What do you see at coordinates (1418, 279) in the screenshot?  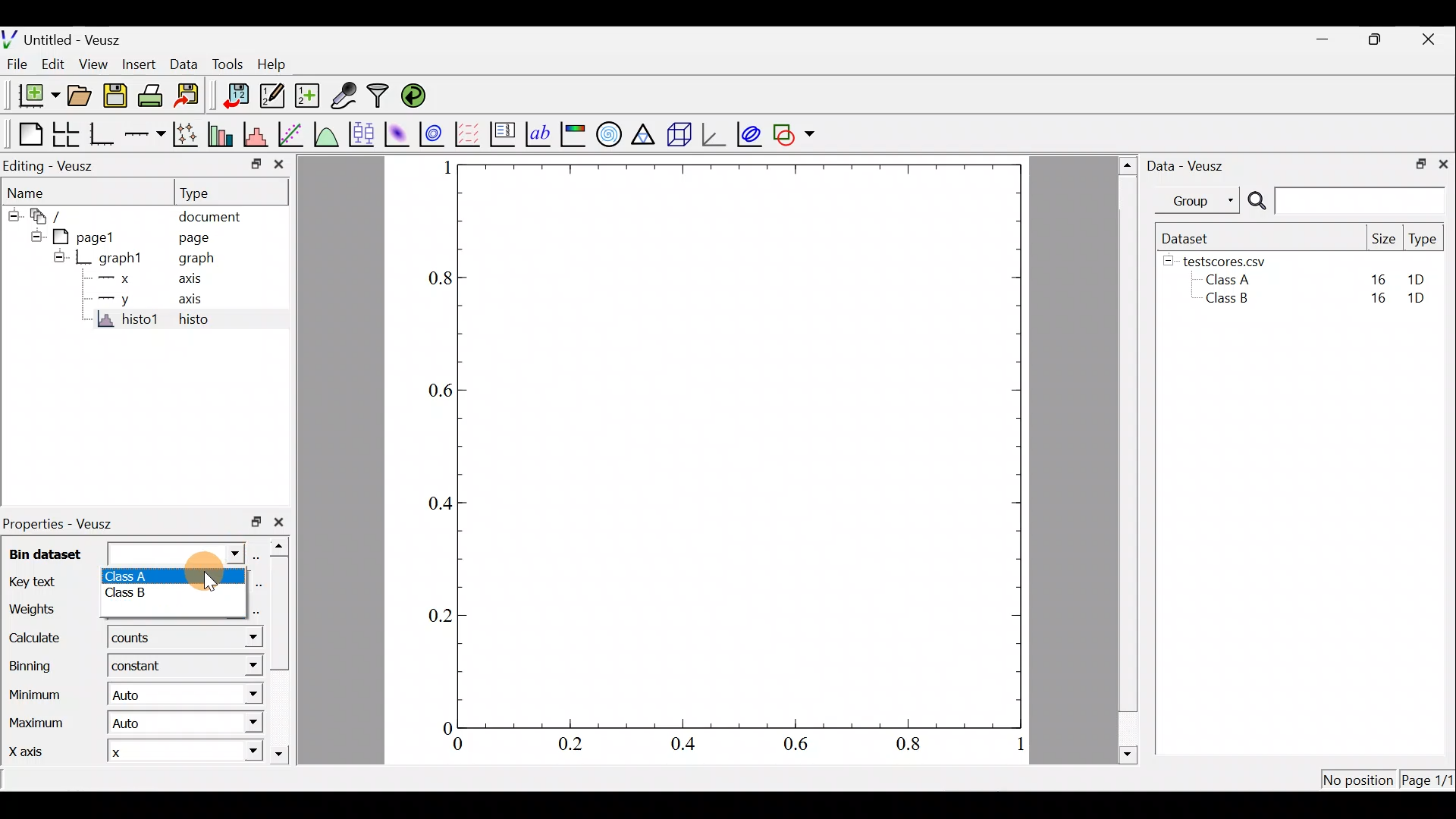 I see `1D` at bounding box center [1418, 279].